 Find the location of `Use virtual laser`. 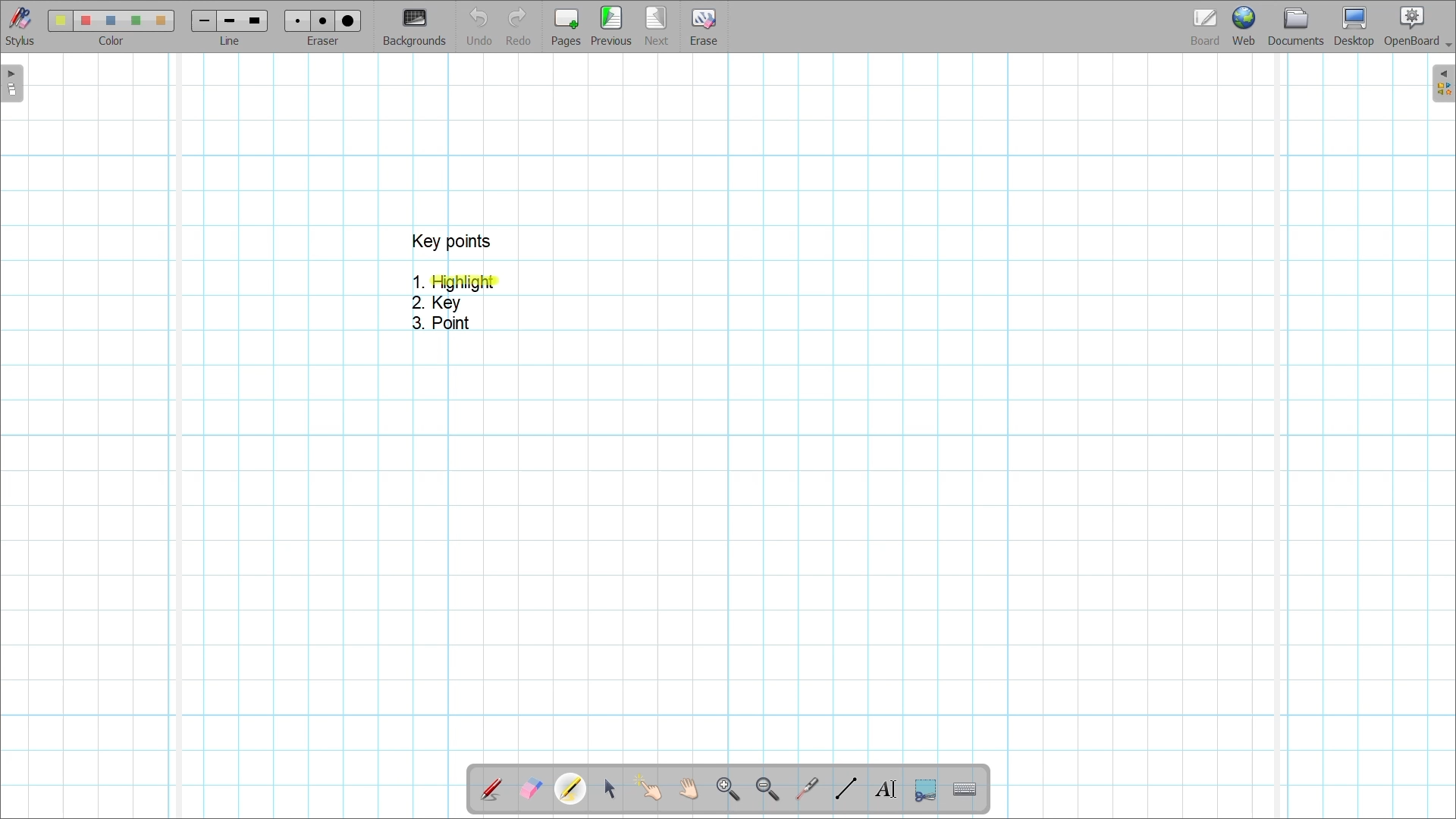

Use virtual laser is located at coordinates (806, 789).